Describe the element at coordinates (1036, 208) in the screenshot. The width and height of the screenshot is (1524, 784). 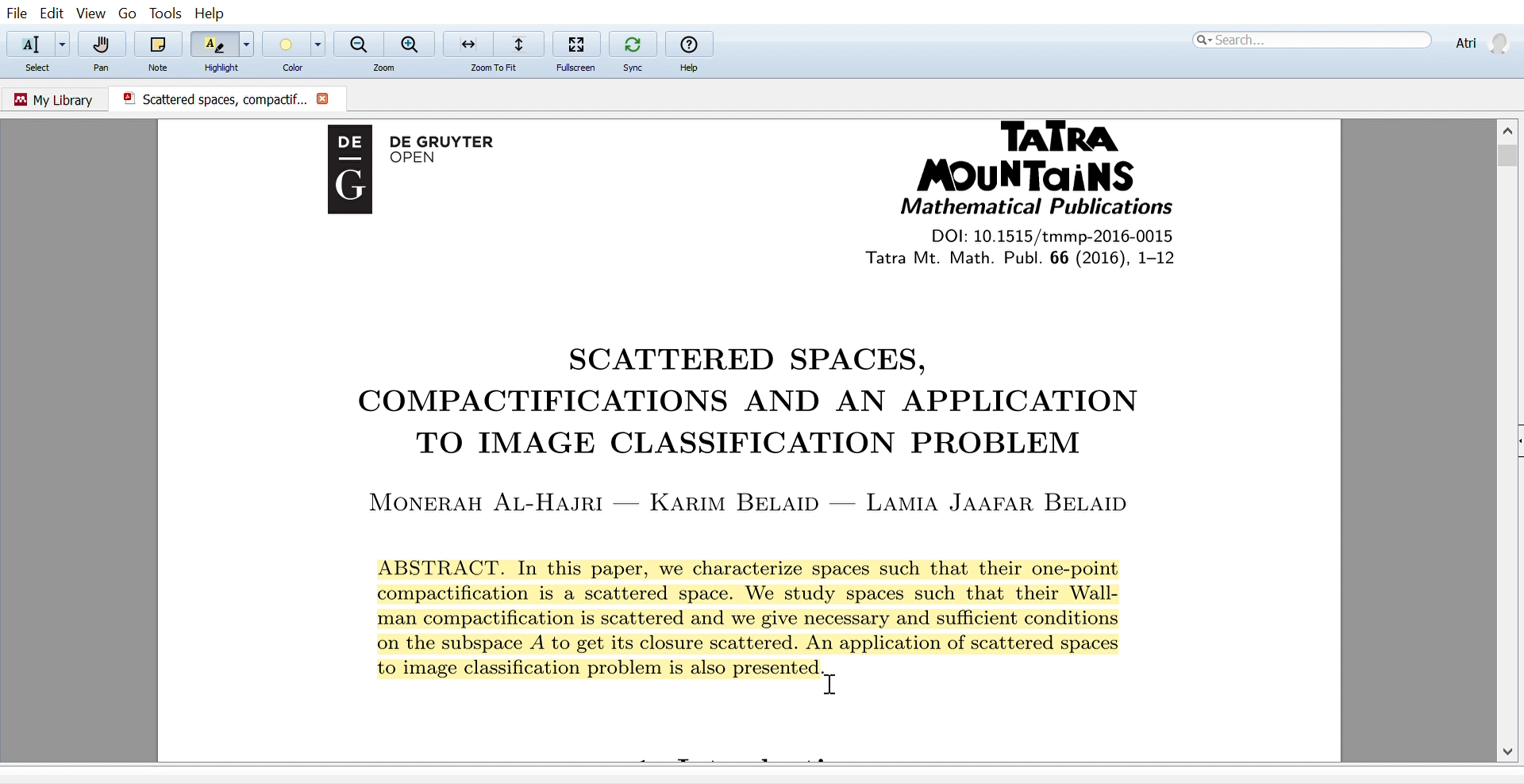
I see `Mathematical Publications` at that location.